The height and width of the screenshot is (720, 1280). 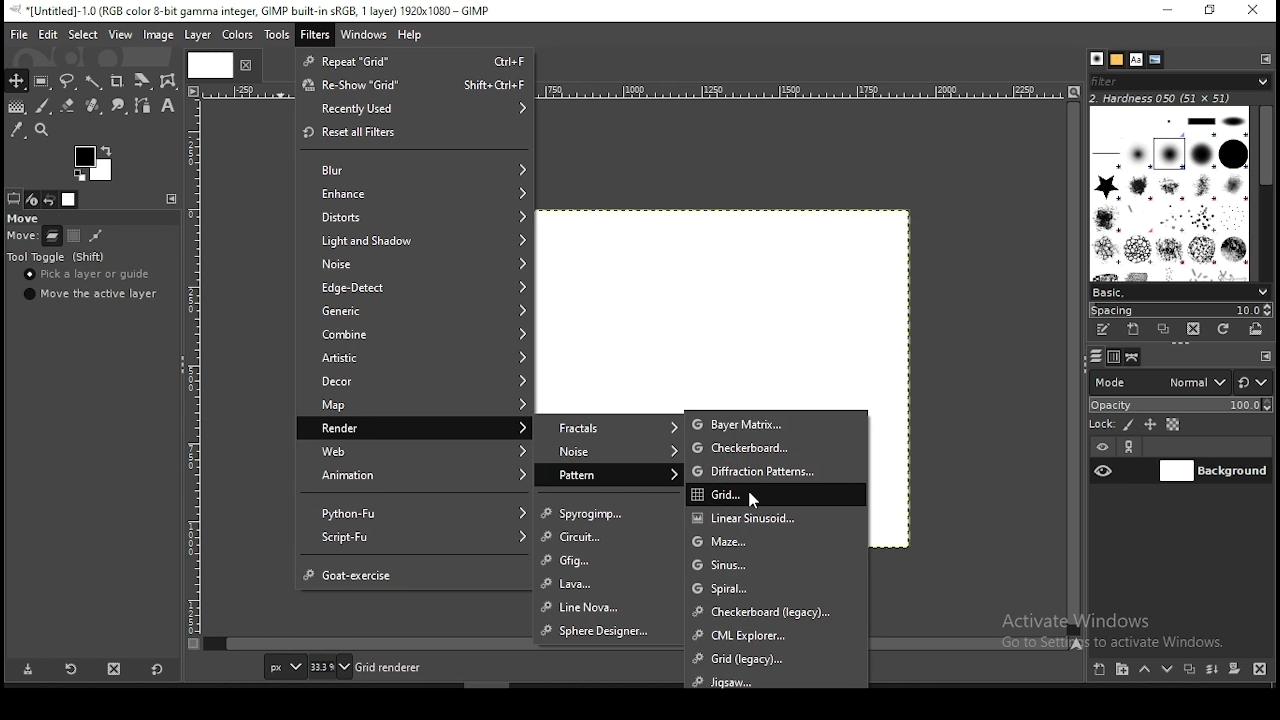 What do you see at coordinates (19, 237) in the screenshot?
I see `move` at bounding box center [19, 237].